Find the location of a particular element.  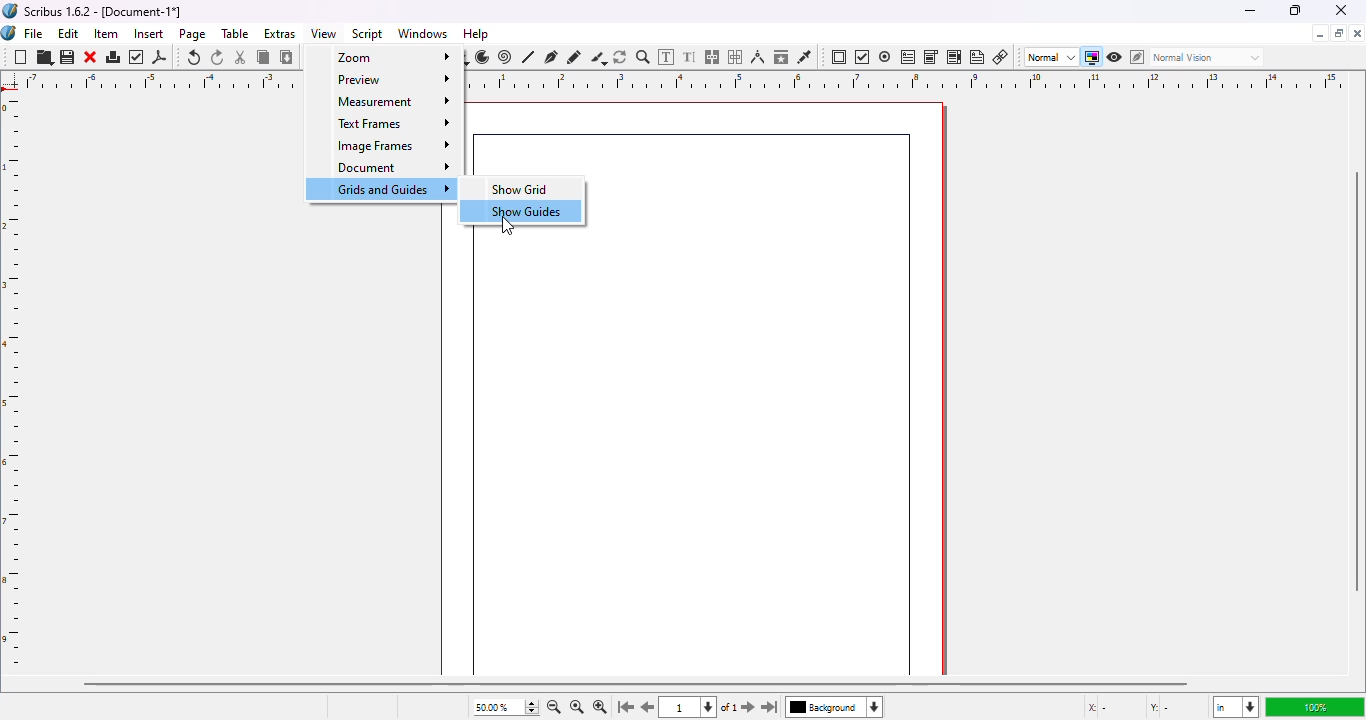

PDF radio button is located at coordinates (885, 57).